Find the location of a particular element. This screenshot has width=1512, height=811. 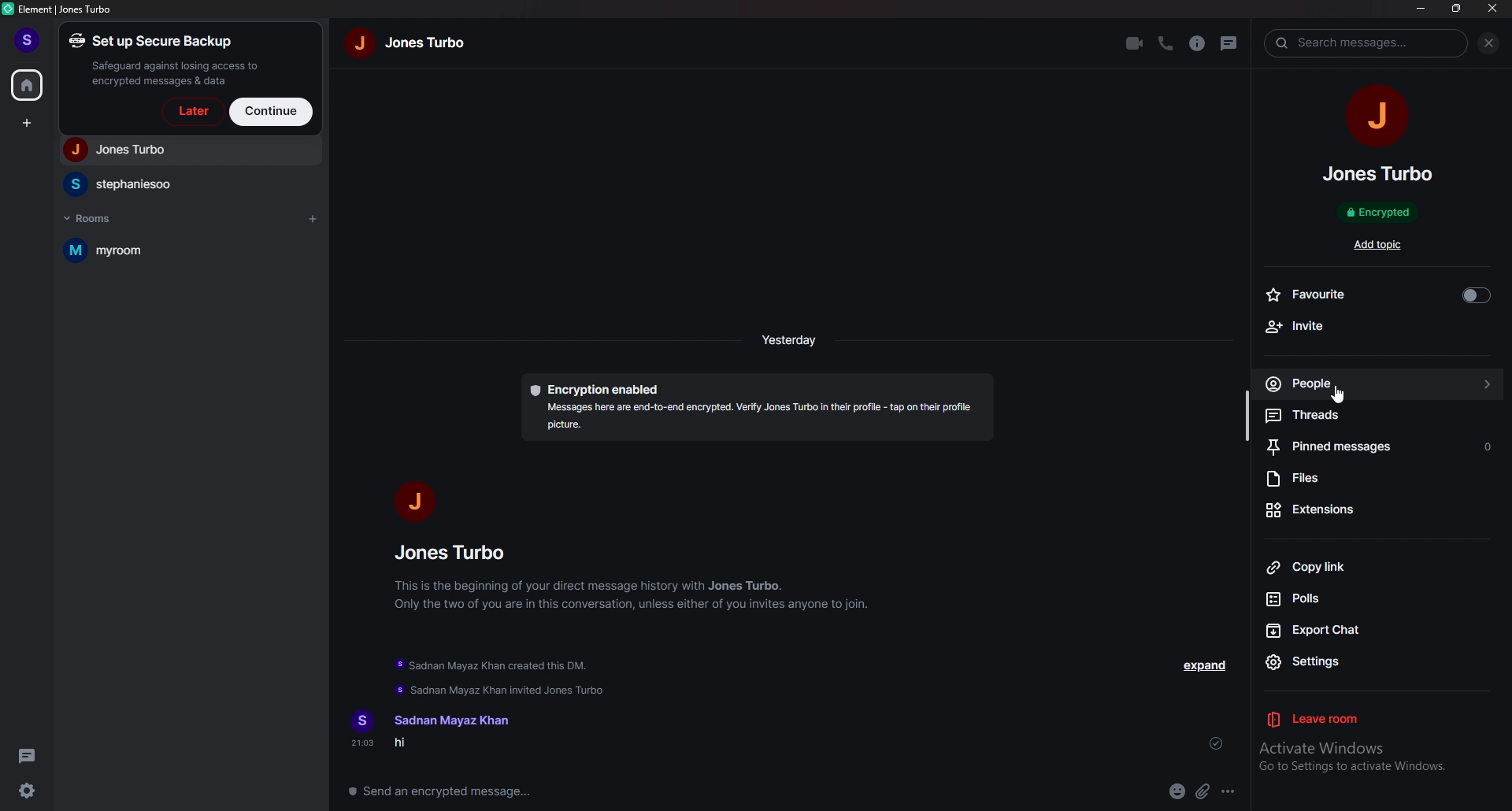

people is located at coordinates (187, 150).